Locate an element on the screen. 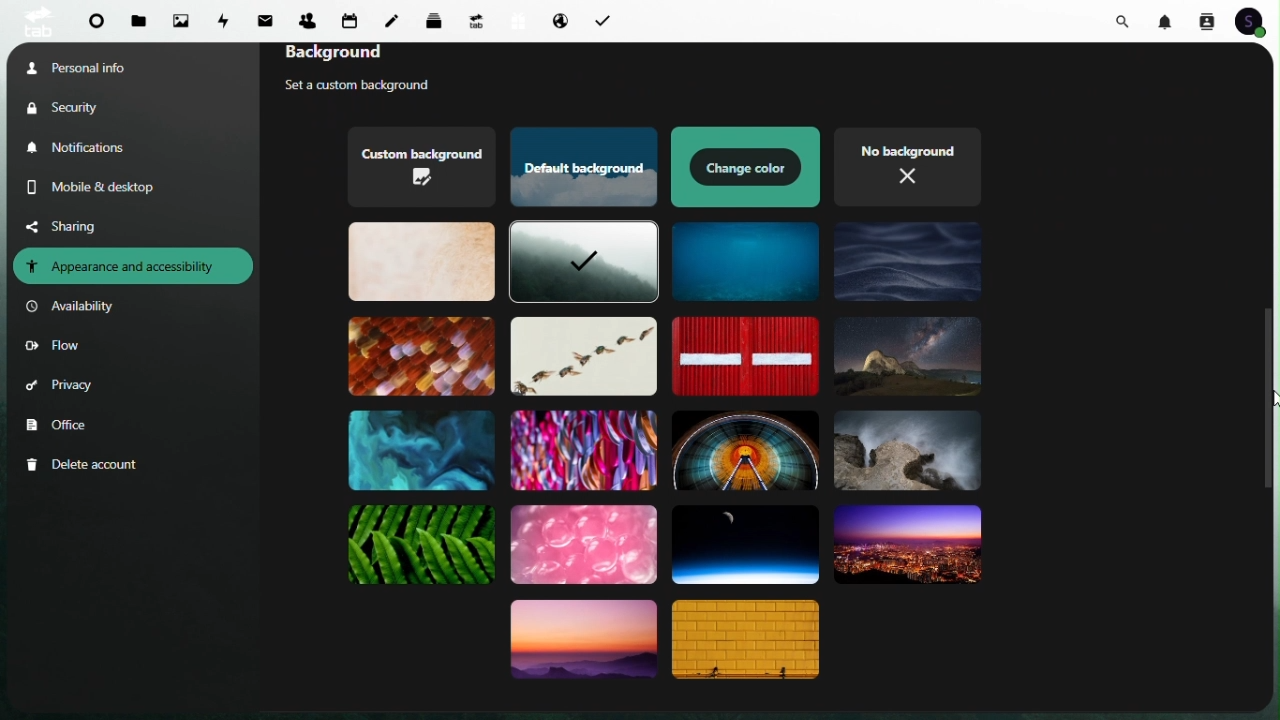  Themes is located at coordinates (747, 167).